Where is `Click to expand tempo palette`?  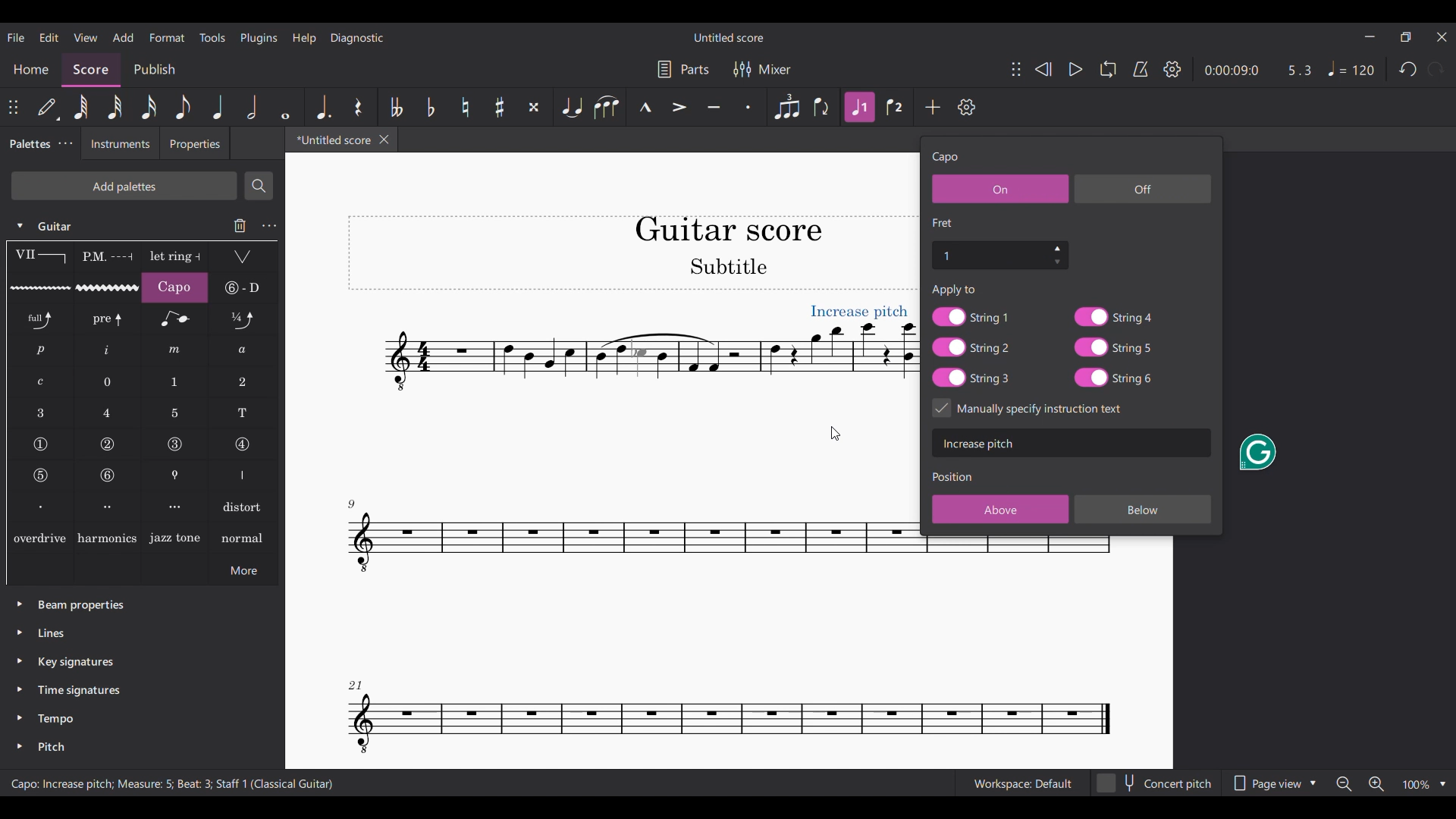 Click to expand tempo palette is located at coordinates (19, 717).